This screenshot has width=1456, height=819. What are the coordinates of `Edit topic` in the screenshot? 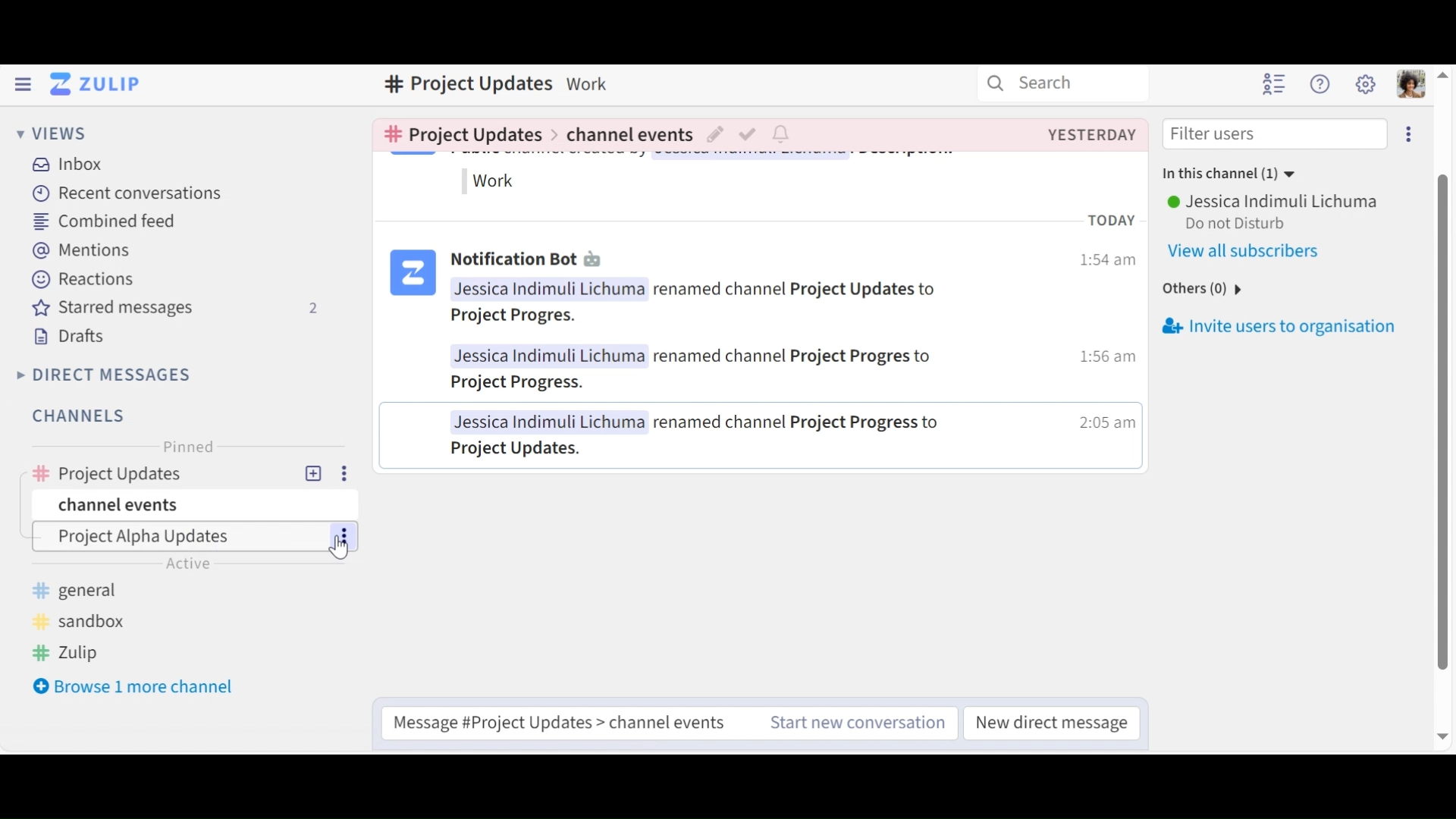 It's located at (717, 136).